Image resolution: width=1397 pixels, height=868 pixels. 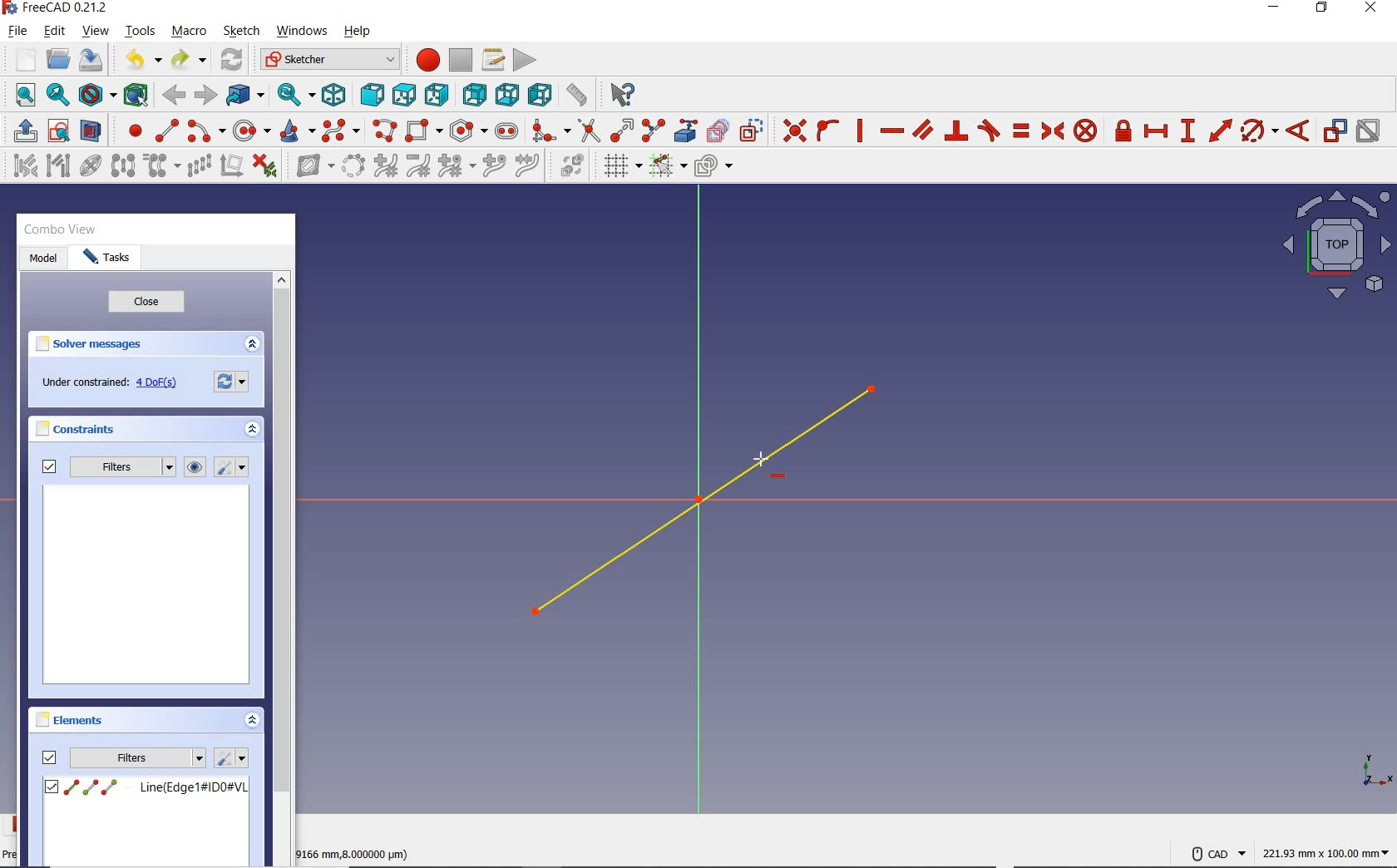 I want to click on REAR, so click(x=472, y=96).